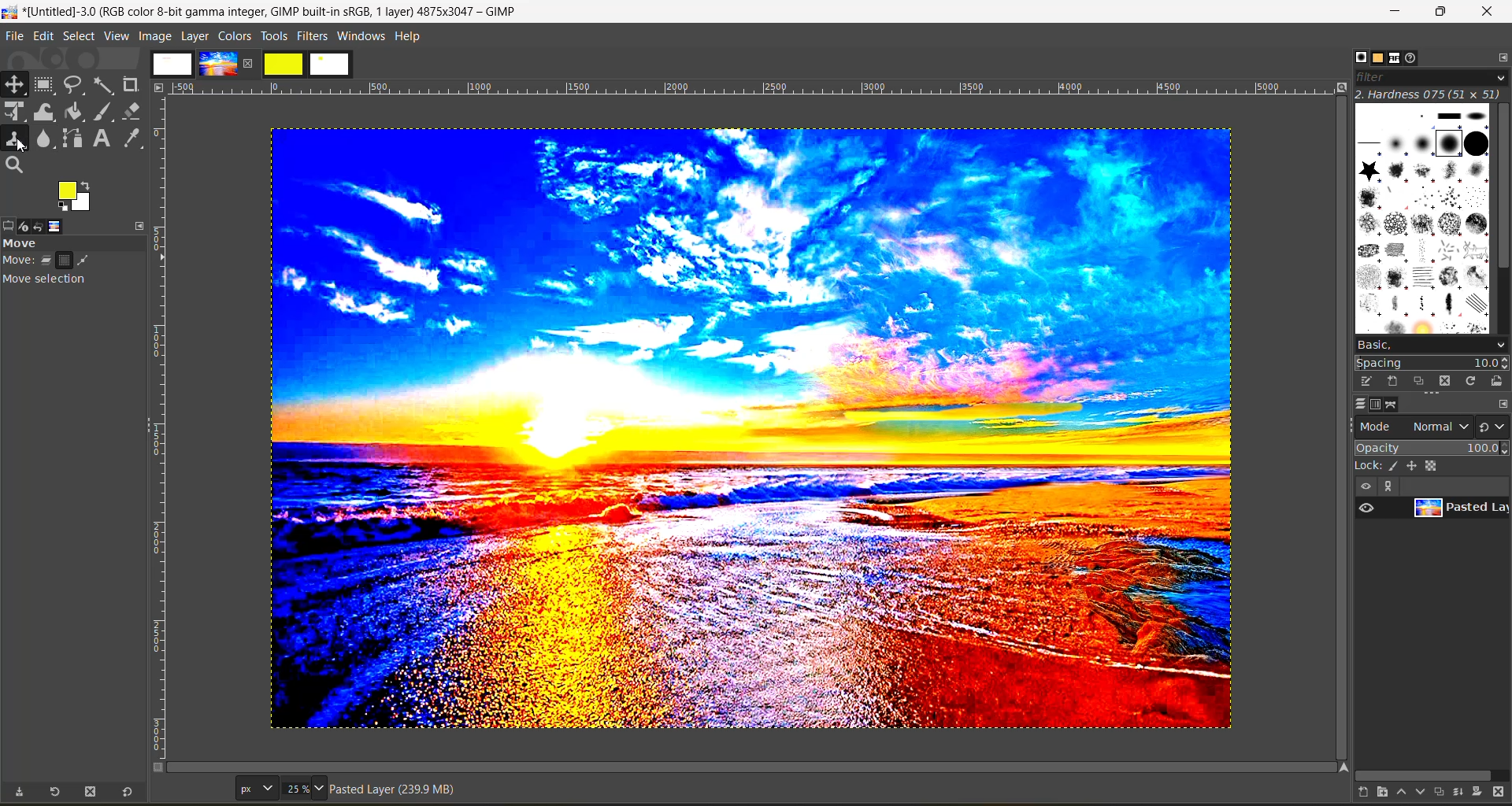  Describe the element at coordinates (1417, 58) in the screenshot. I see `document history` at that location.